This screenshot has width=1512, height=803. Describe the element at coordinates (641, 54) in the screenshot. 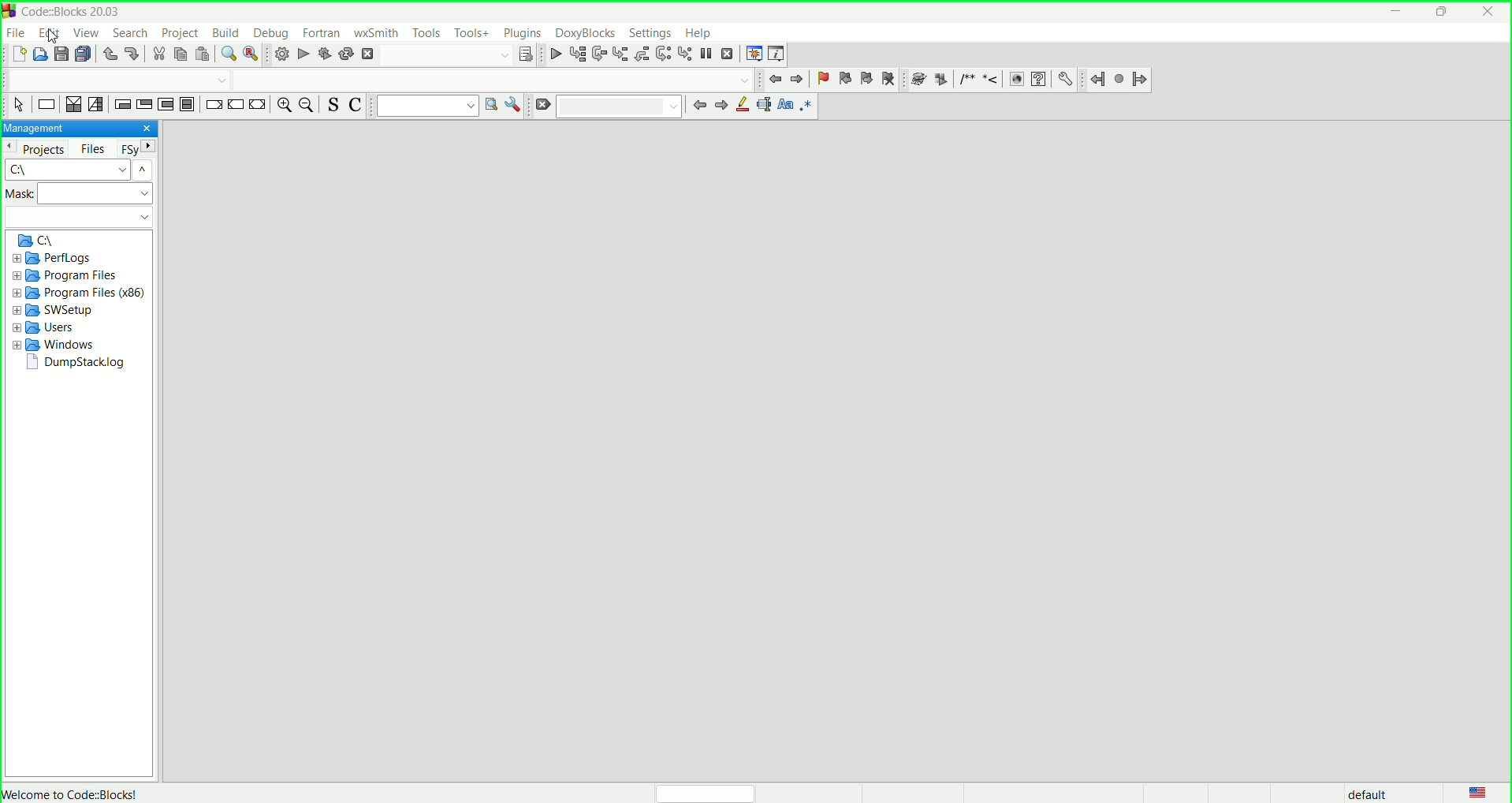

I see `step out` at that location.